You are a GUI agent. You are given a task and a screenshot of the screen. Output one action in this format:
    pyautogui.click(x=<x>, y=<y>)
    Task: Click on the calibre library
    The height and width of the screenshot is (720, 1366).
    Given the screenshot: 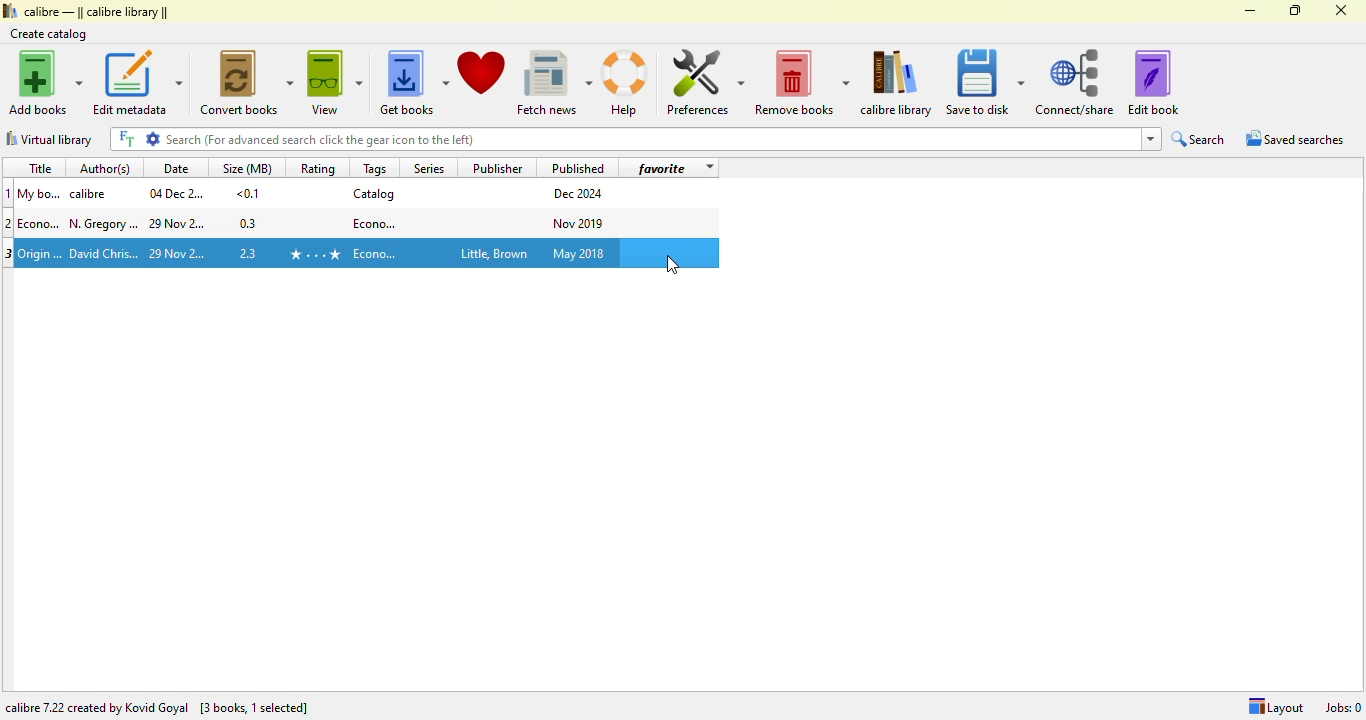 What is the action you would take?
    pyautogui.click(x=899, y=83)
    